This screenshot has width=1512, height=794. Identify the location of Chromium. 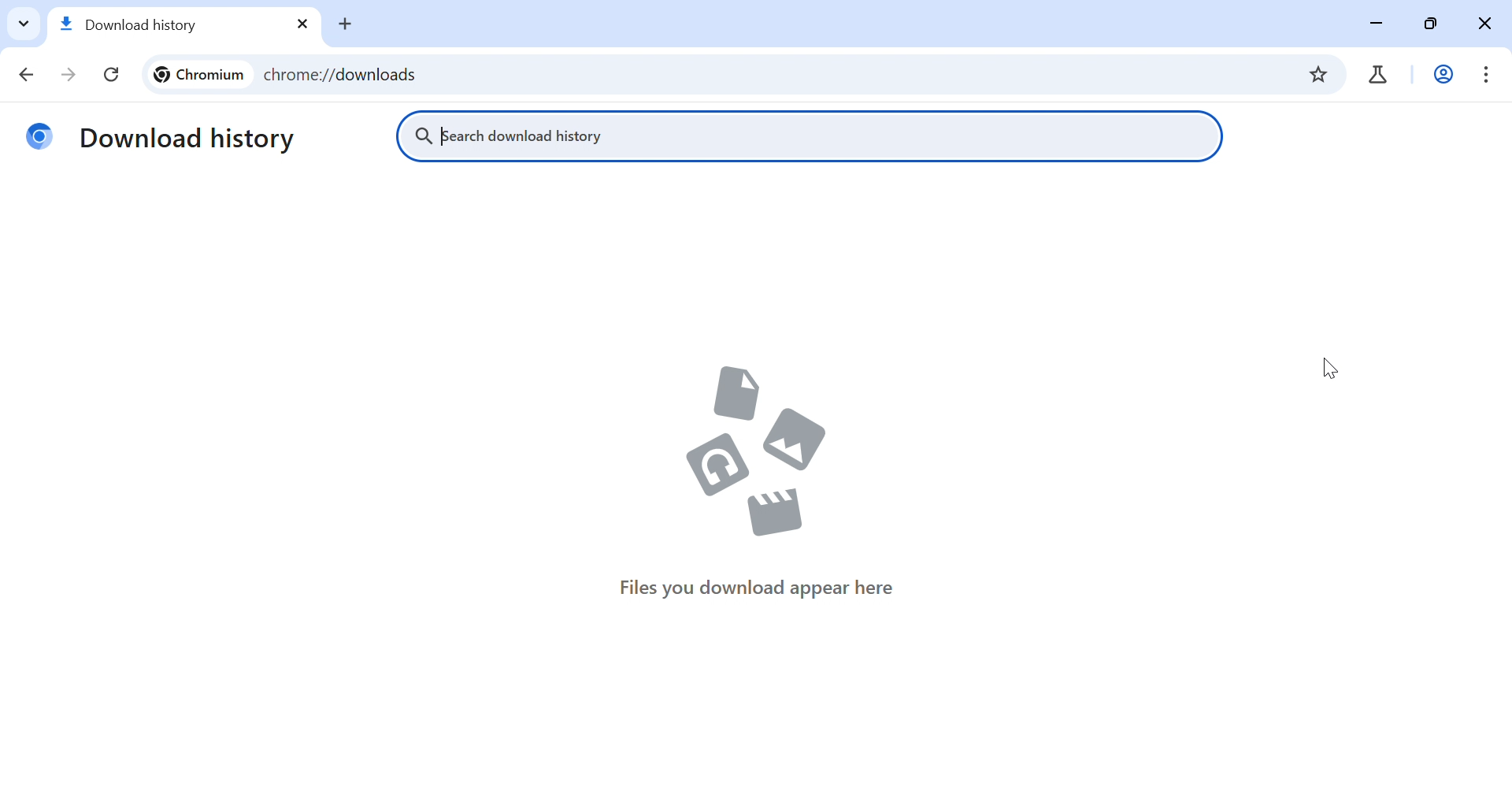
(196, 76).